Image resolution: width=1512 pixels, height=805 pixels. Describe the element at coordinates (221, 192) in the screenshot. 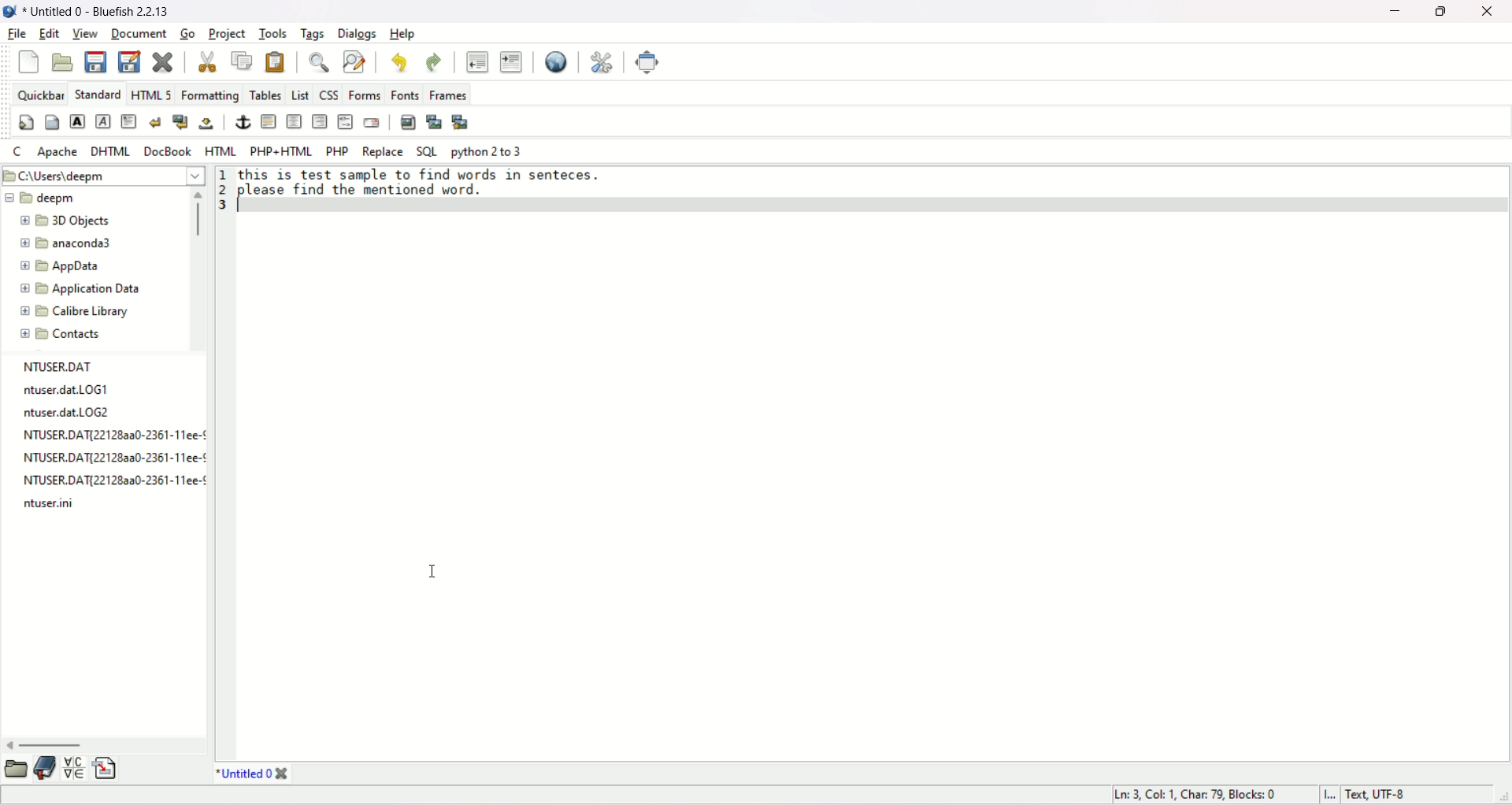

I see `line number` at that location.